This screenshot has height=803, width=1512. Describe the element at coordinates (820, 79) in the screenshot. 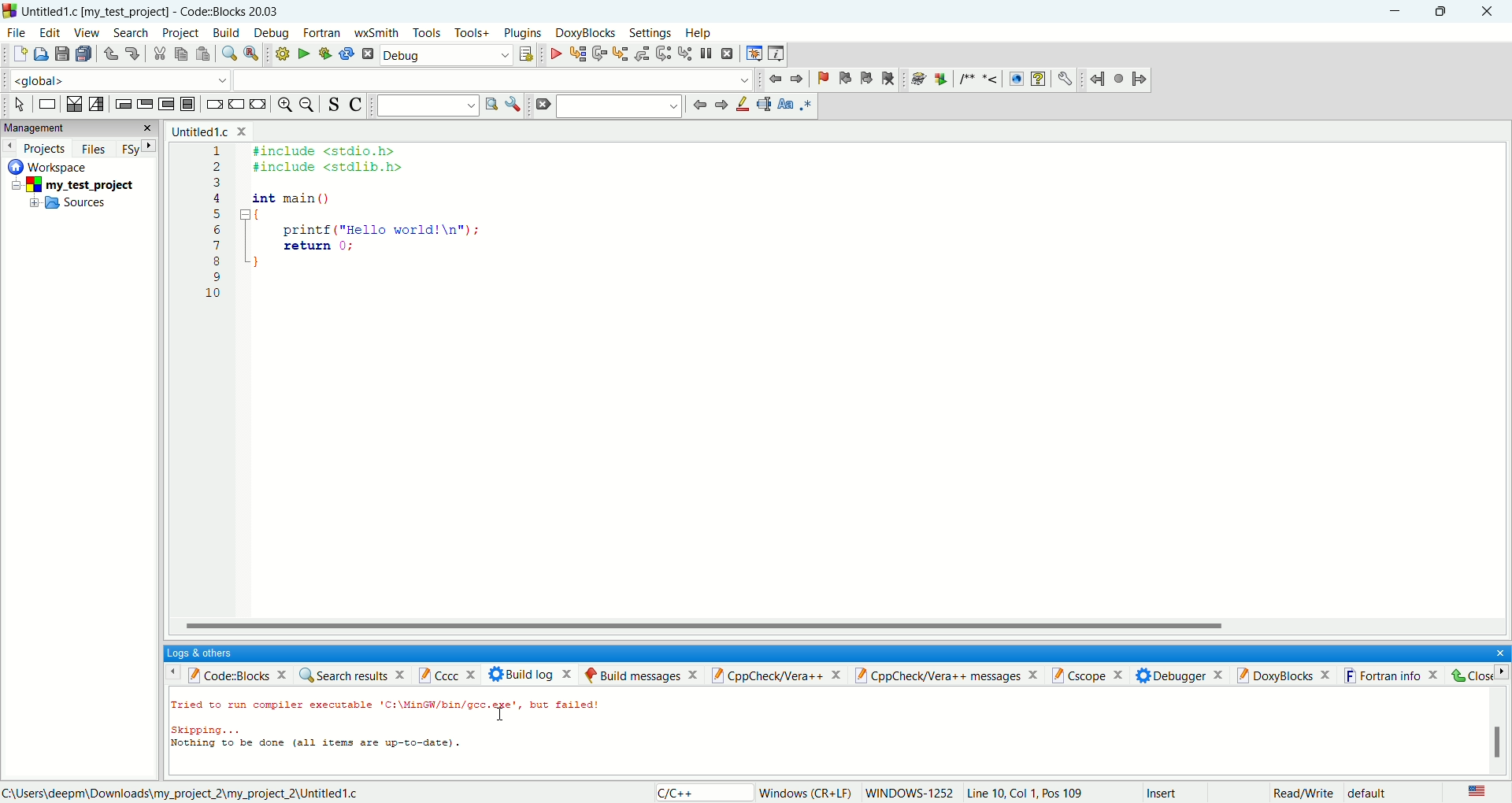

I see `toggle bookmark` at that location.